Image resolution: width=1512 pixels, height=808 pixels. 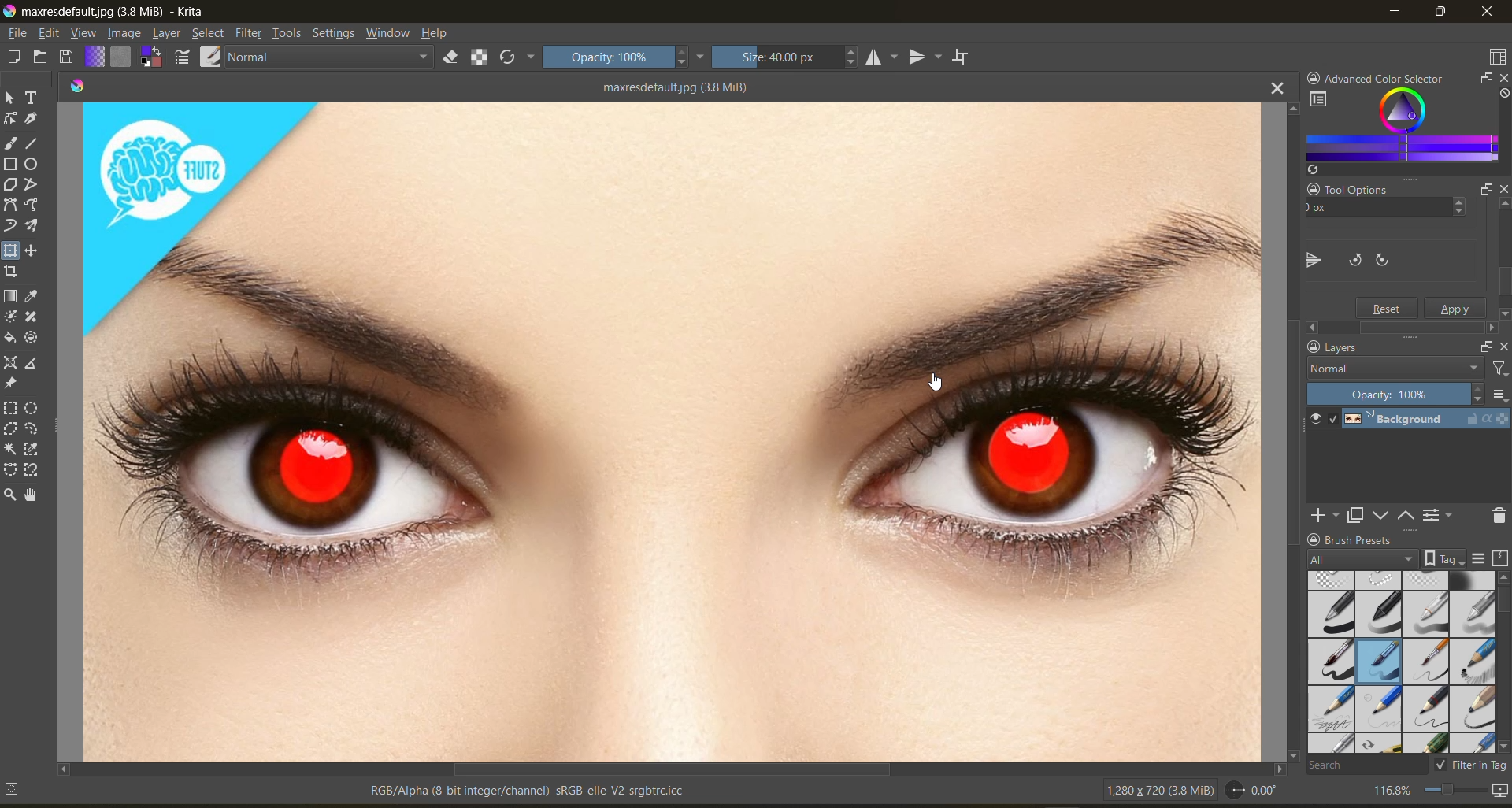 I want to click on vertical scroll bar, so click(x=1289, y=431).